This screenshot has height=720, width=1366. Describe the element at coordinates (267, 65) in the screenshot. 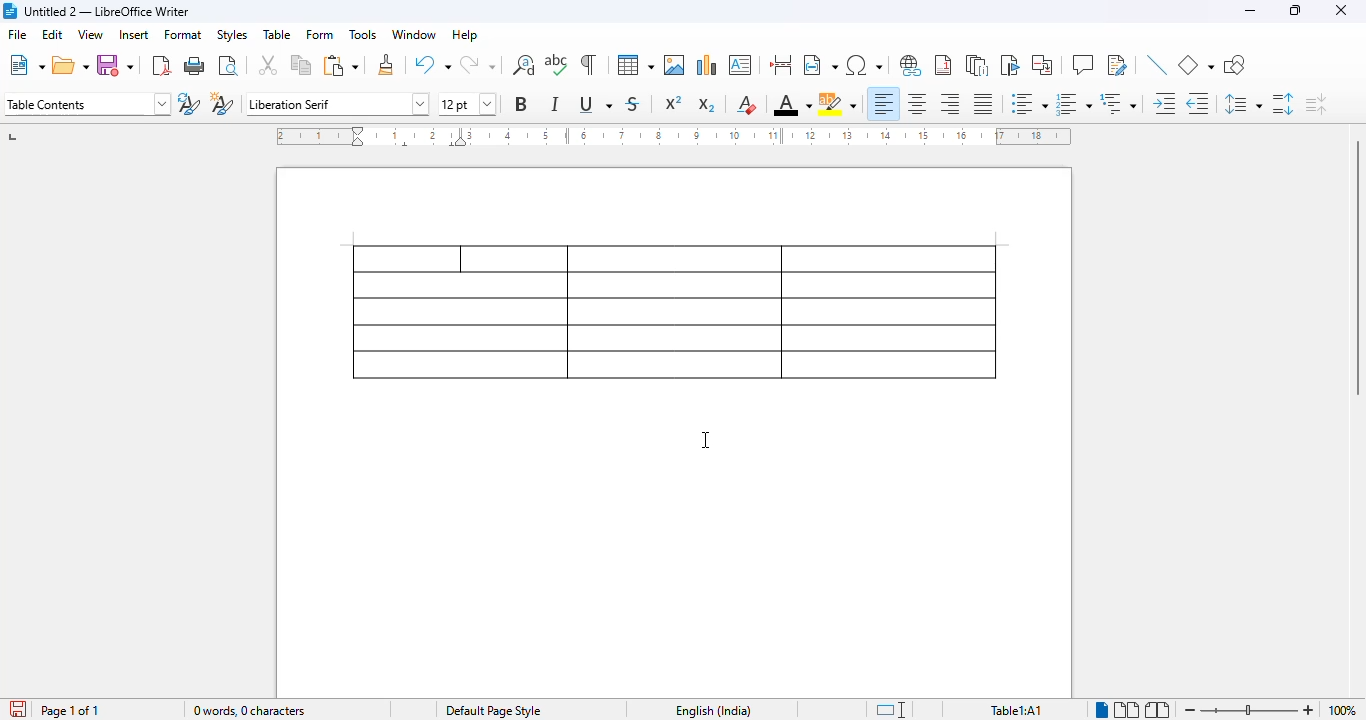

I see `cut` at that location.